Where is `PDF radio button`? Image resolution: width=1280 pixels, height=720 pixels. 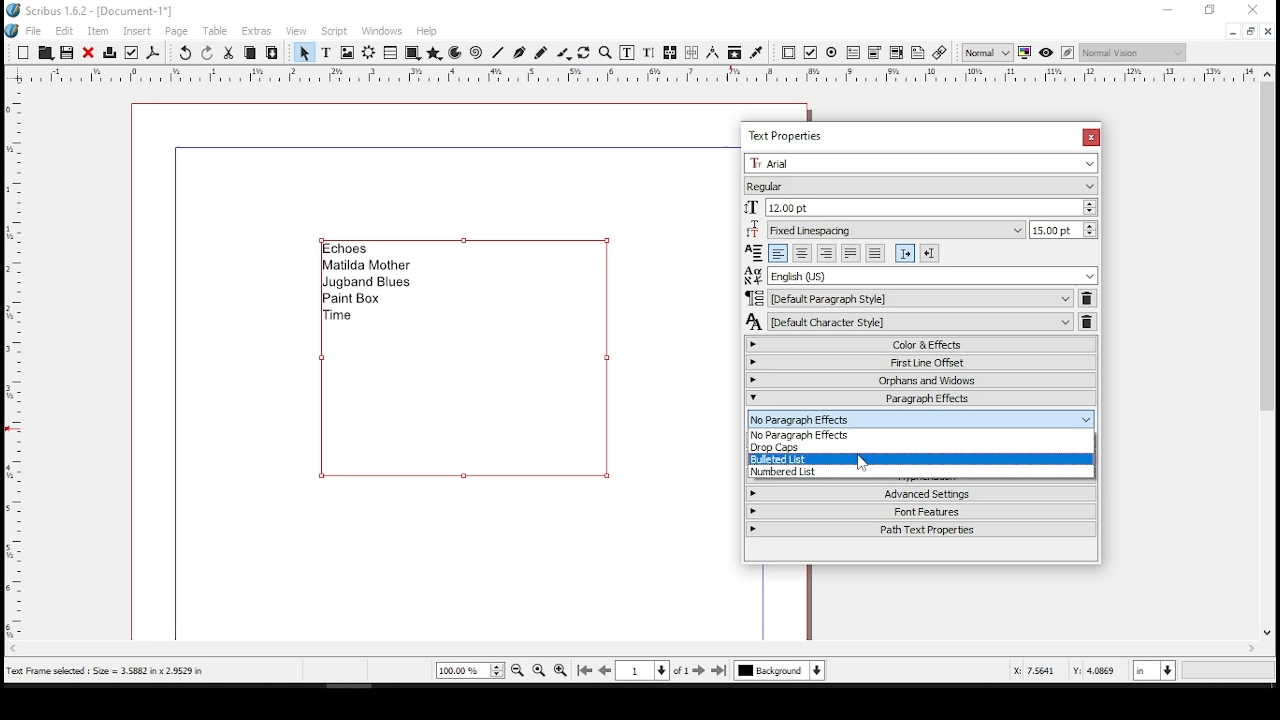 PDF radio button is located at coordinates (832, 53).